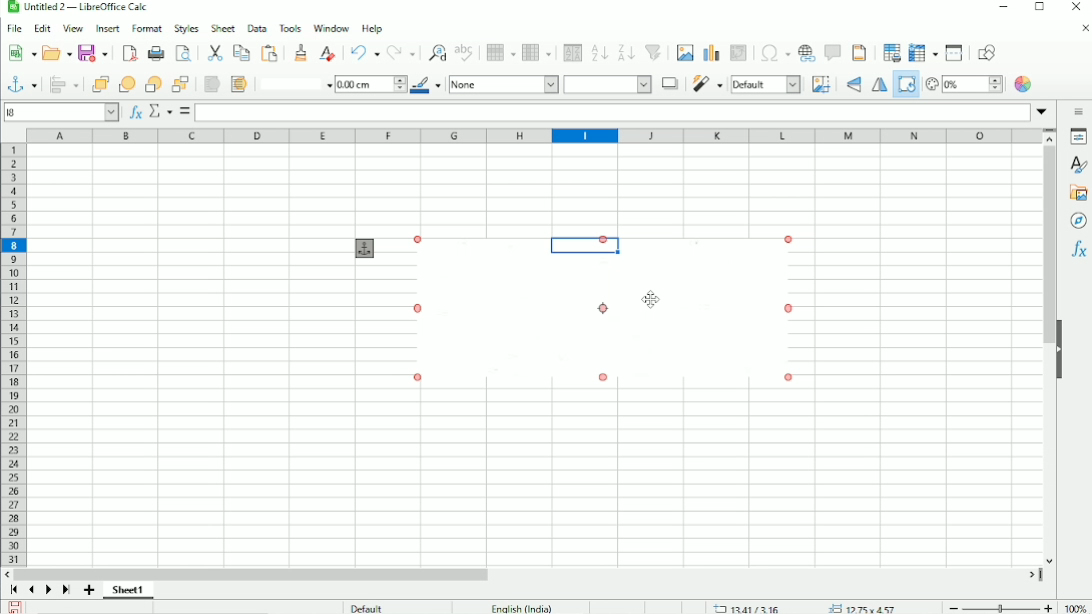 This screenshot has width=1092, height=614. What do you see at coordinates (809, 607) in the screenshot?
I see `13.33/3.08 12.25x4.57` at bounding box center [809, 607].